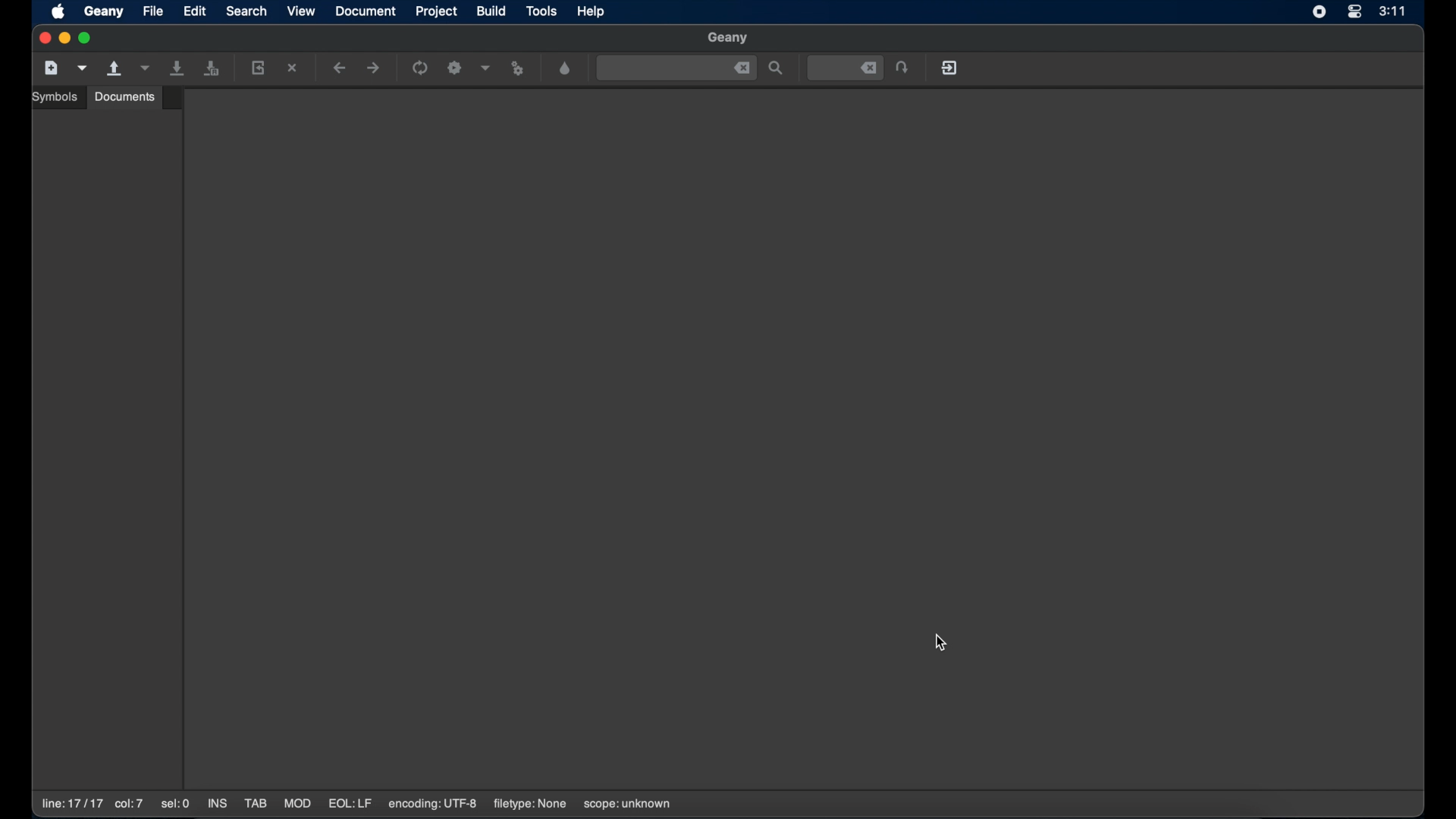  Describe the element at coordinates (52, 68) in the screenshot. I see `create a new file` at that location.